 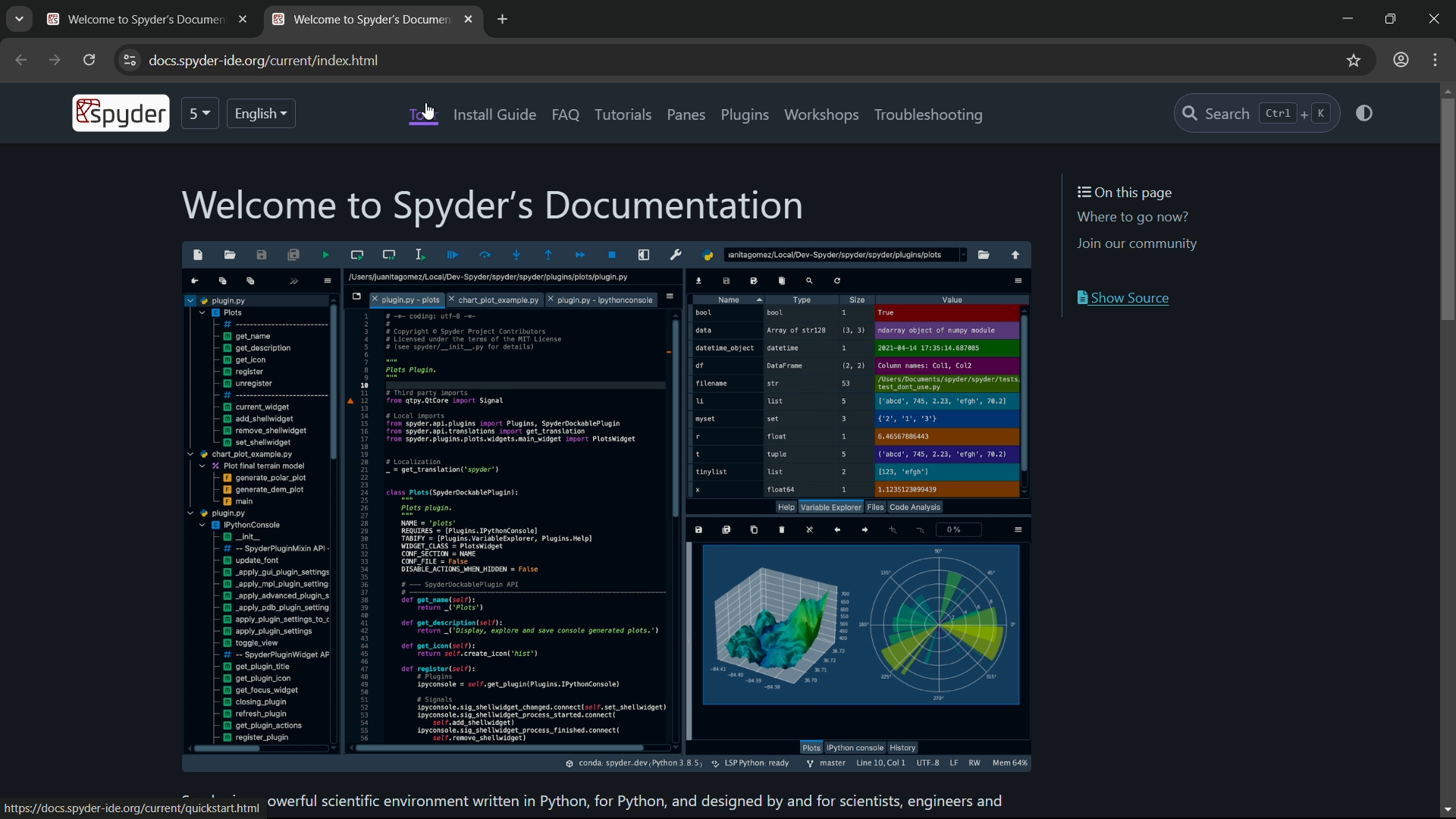 I want to click on Scrol down, so click(x=1446, y=806).